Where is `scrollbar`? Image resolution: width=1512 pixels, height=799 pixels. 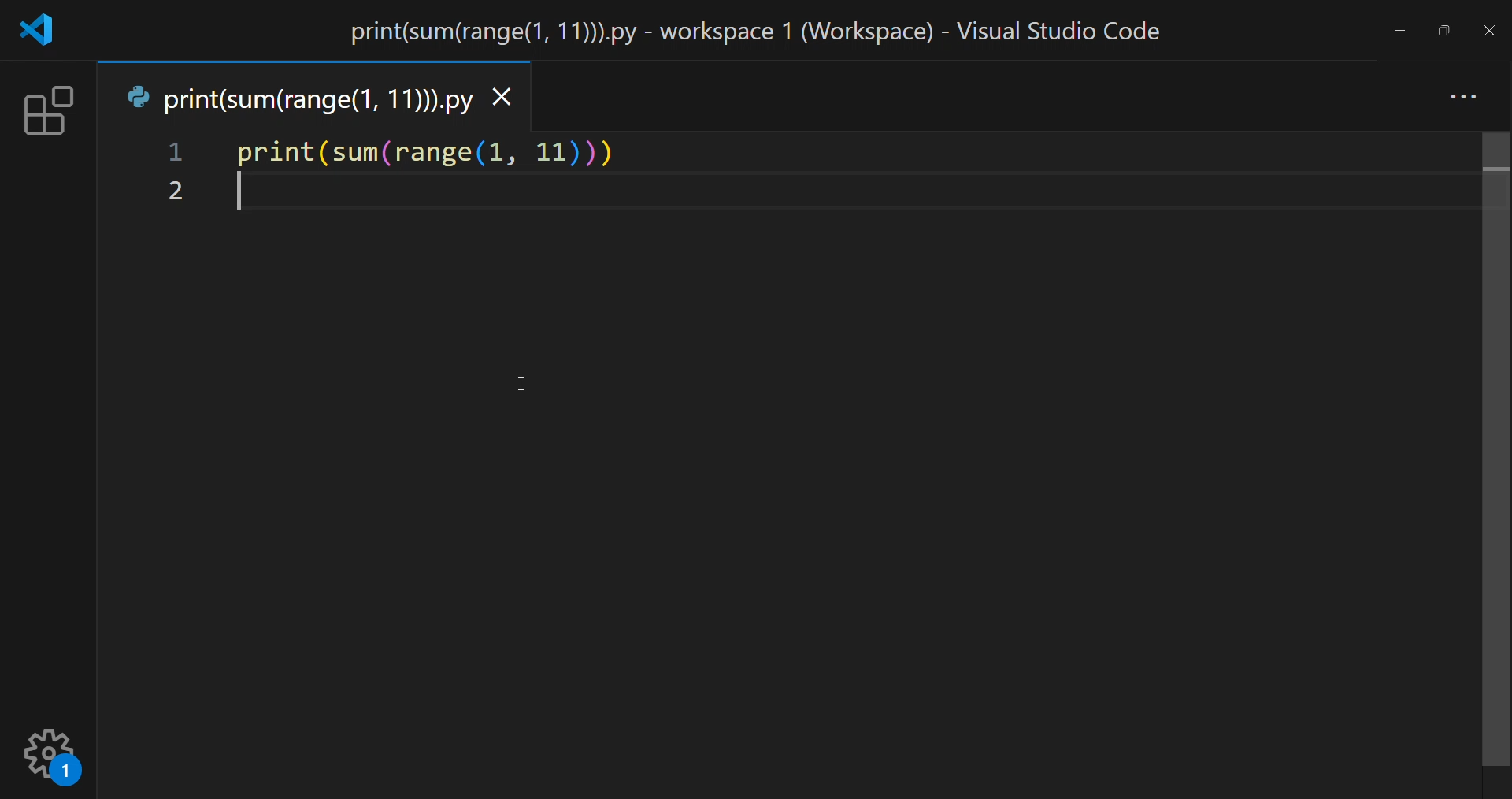
scrollbar is located at coordinates (1492, 451).